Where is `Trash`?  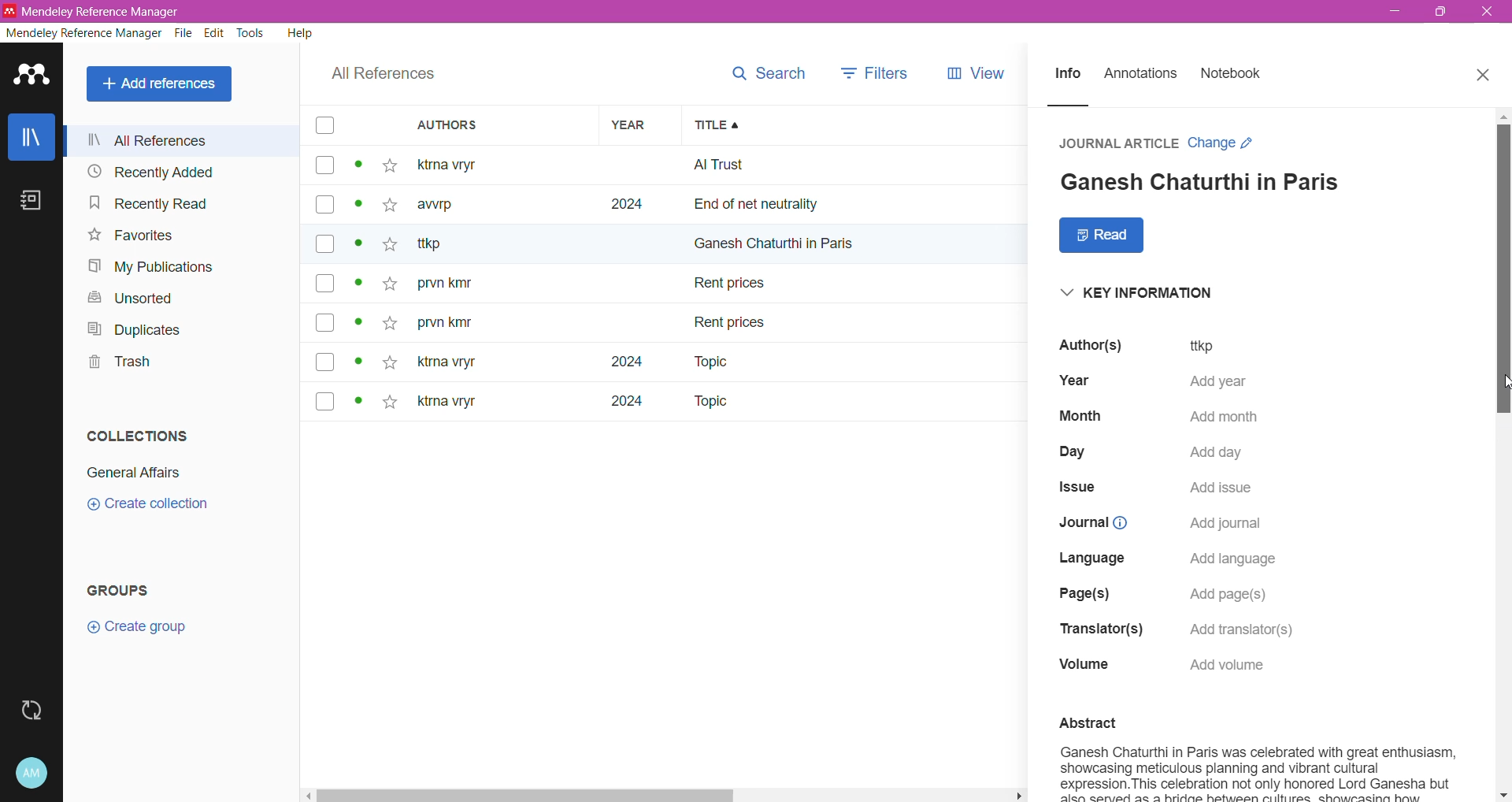
Trash is located at coordinates (117, 364).